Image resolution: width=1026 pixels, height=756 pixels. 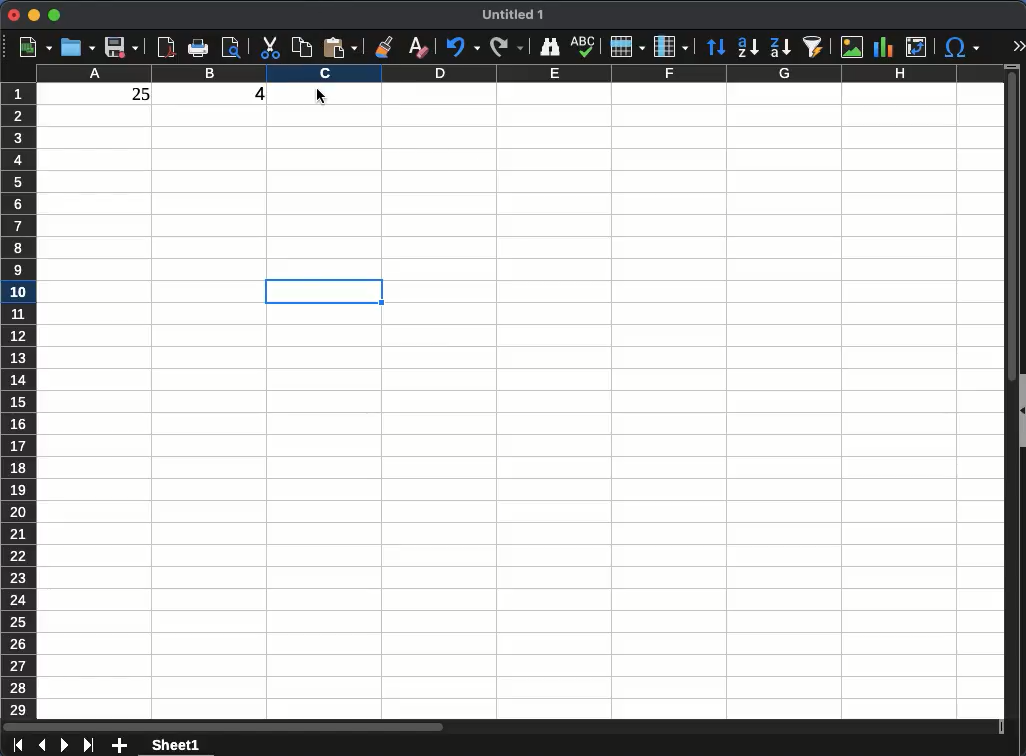 I want to click on collapse, so click(x=1020, y=410).